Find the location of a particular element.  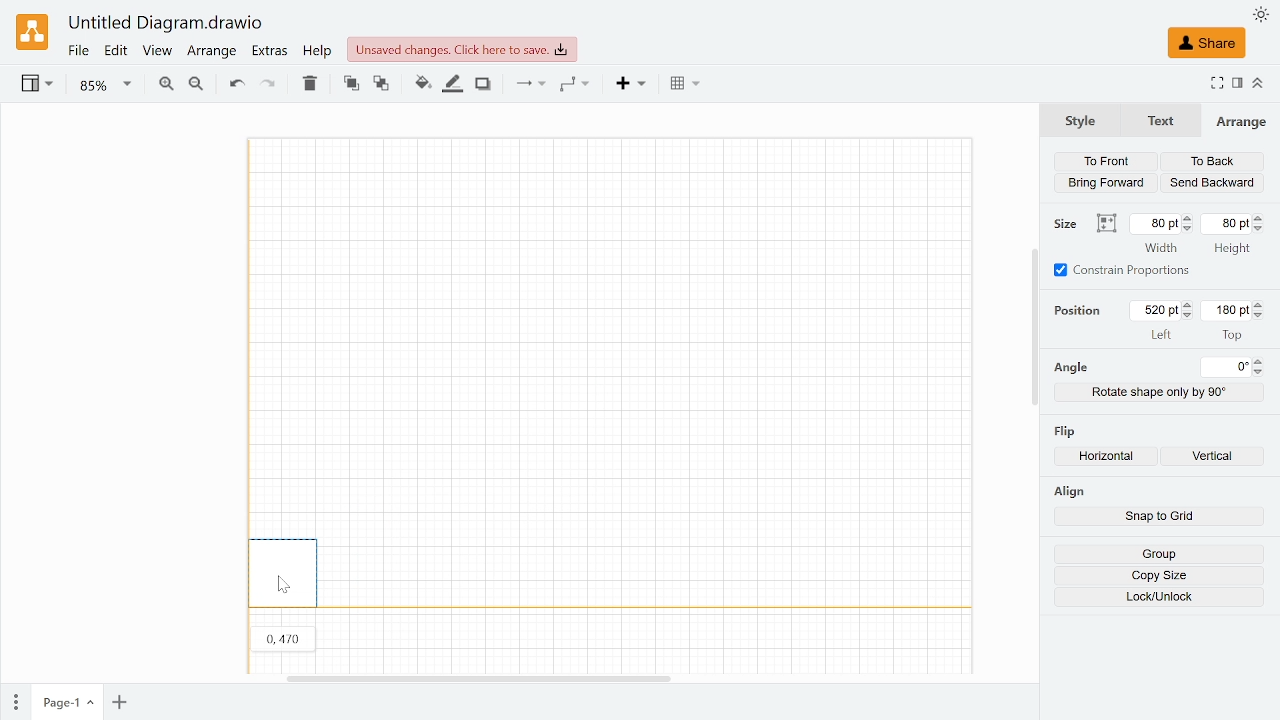

Add page is located at coordinates (119, 703).